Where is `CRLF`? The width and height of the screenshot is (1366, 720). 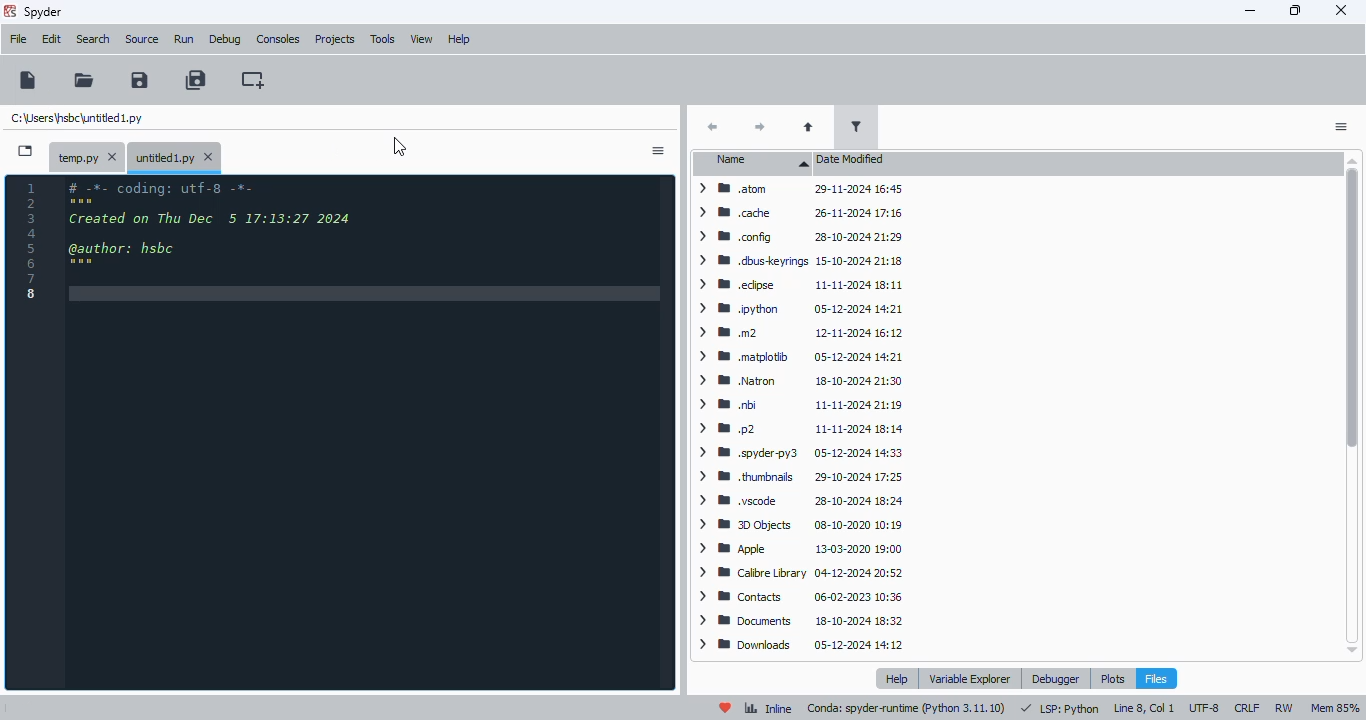
CRLF is located at coordinates (1246, 708).